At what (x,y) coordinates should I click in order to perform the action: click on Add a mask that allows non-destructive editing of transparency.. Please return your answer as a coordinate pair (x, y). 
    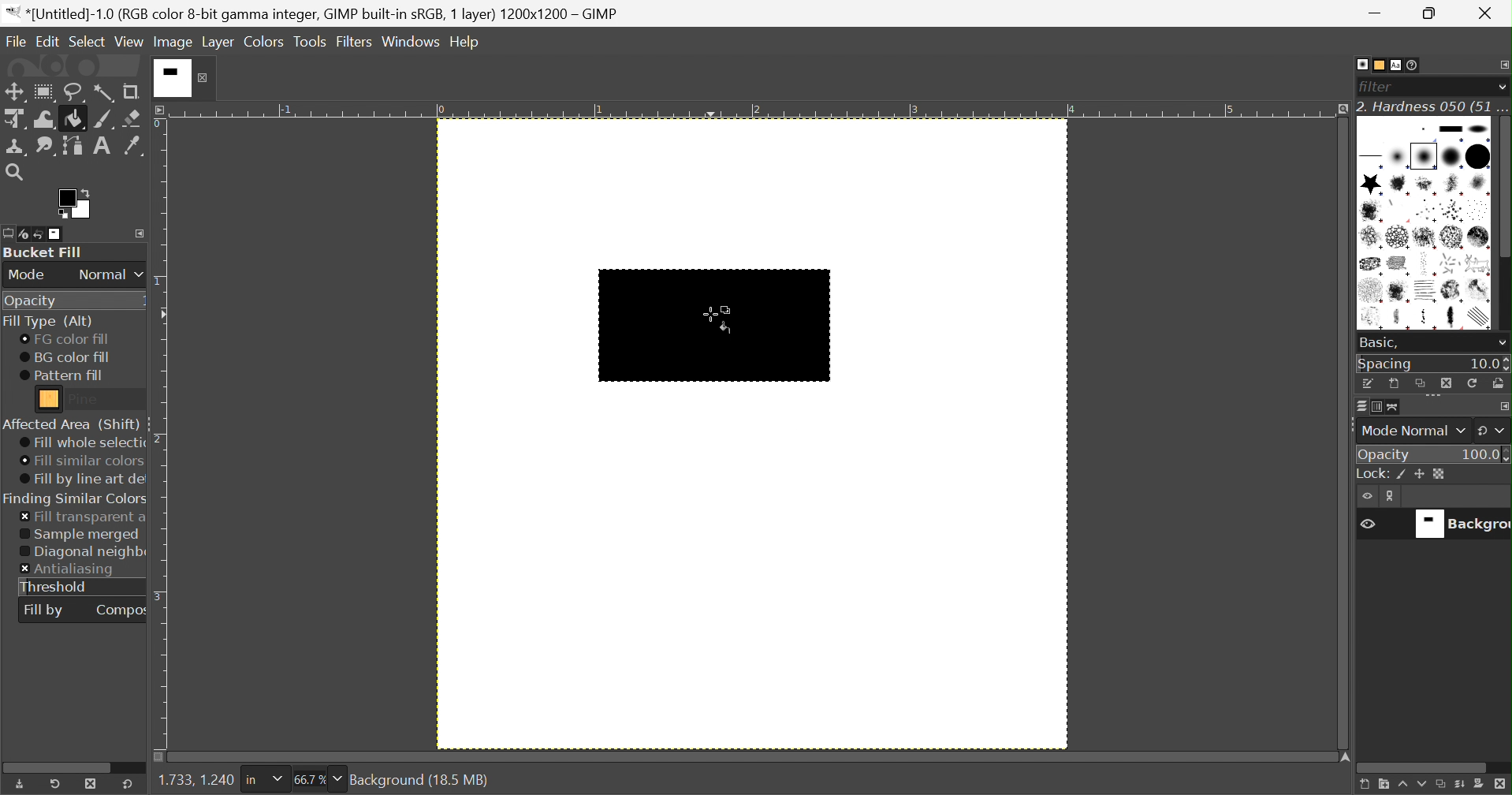
    Looking at the image, I should click on (1480, 786).